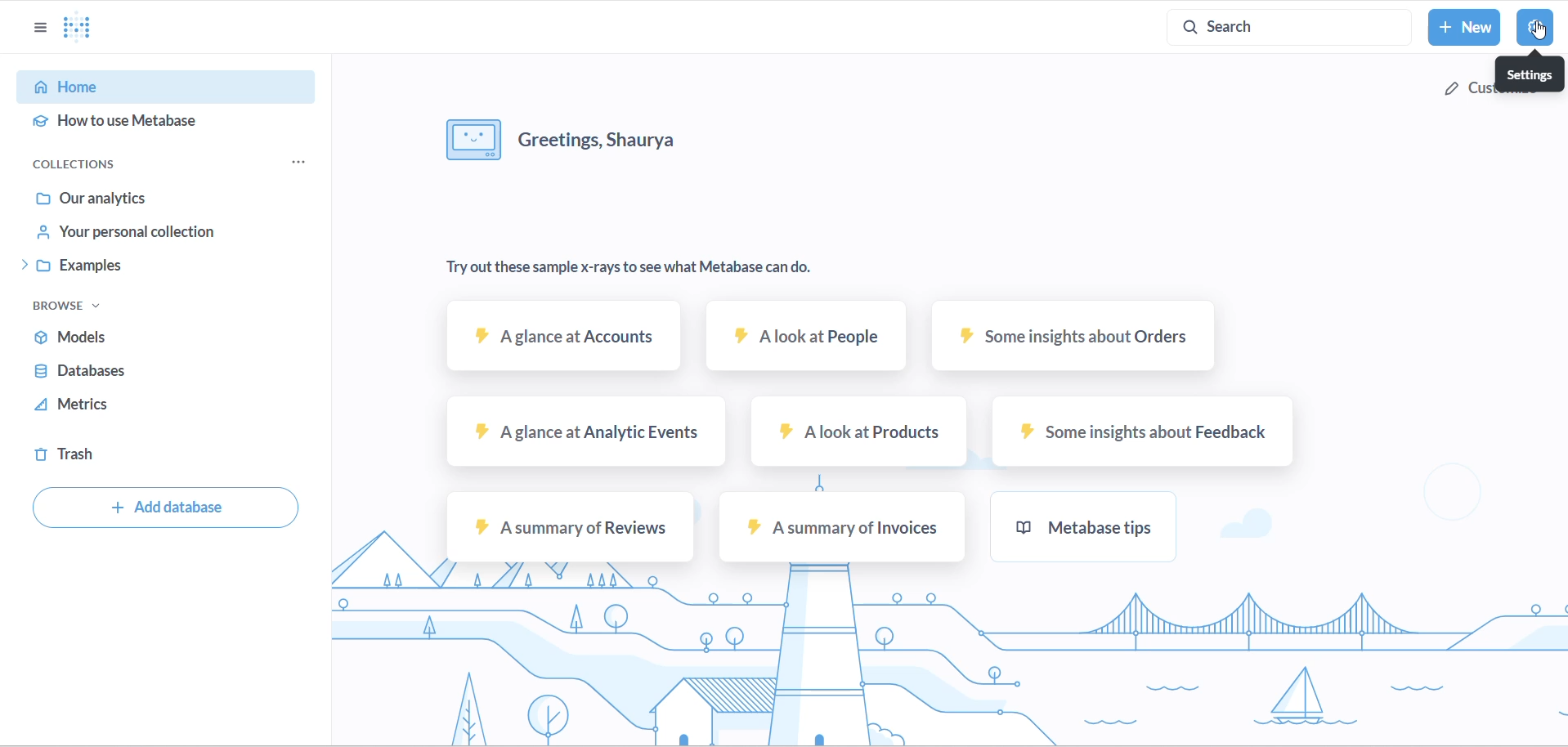  Describe the element at coordinates (142, 268) in the screenshot. I see `examples` at that location.